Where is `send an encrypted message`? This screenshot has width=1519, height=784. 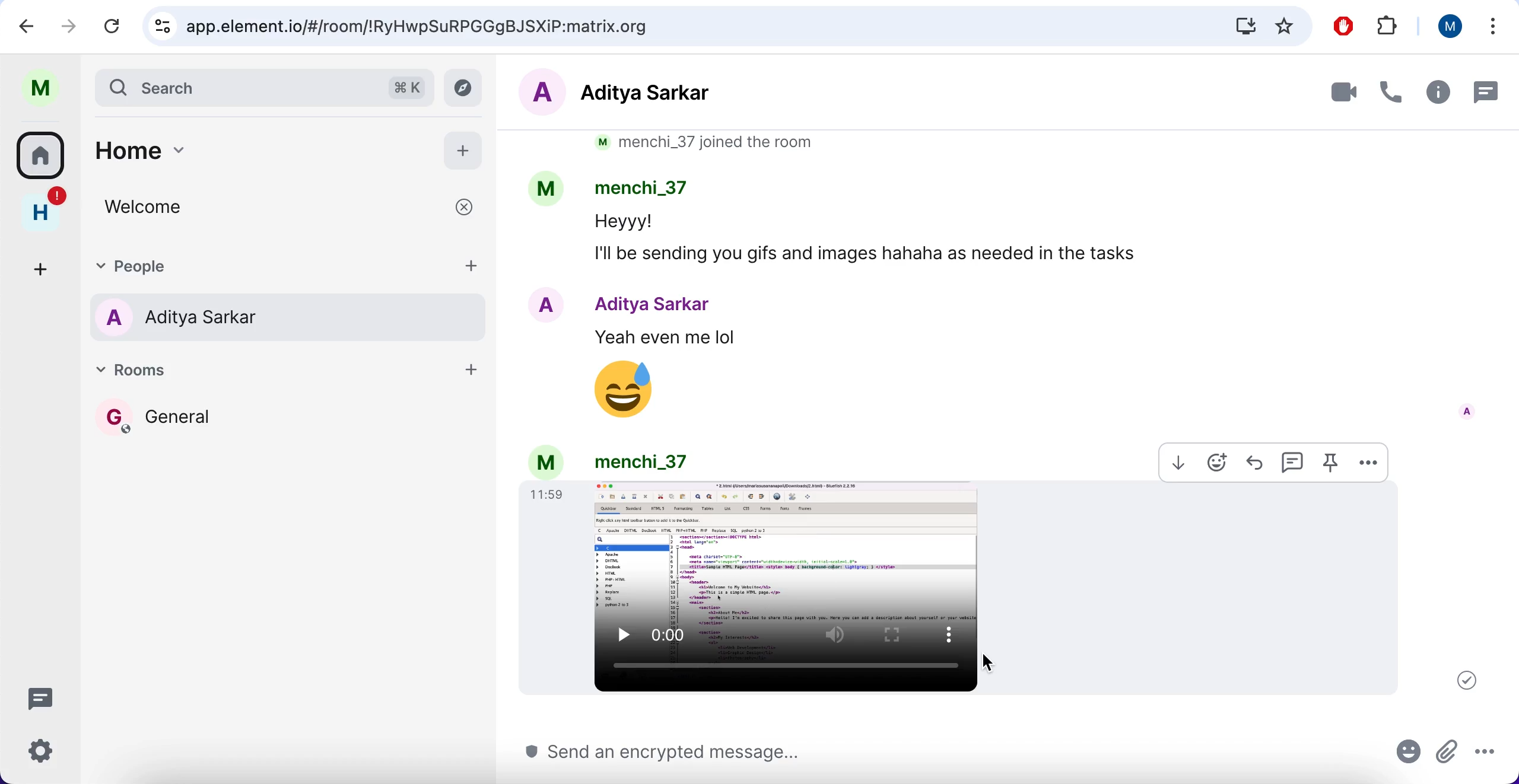 send an encrypted message is located at coordinates (907, 756).